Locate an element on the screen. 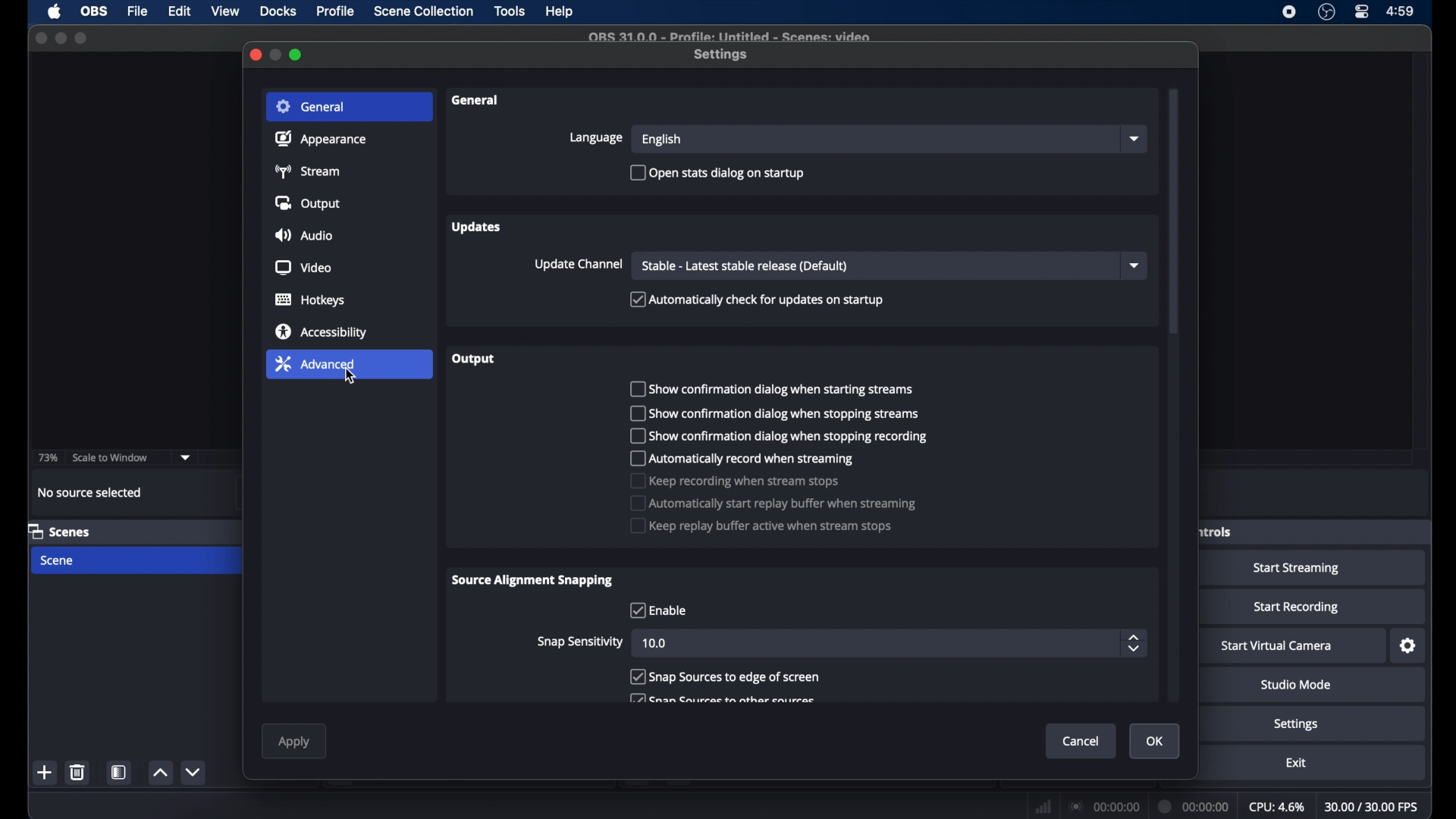 This screenshot has height=819, width=1456. maximize is located at coordinates (83, 38).